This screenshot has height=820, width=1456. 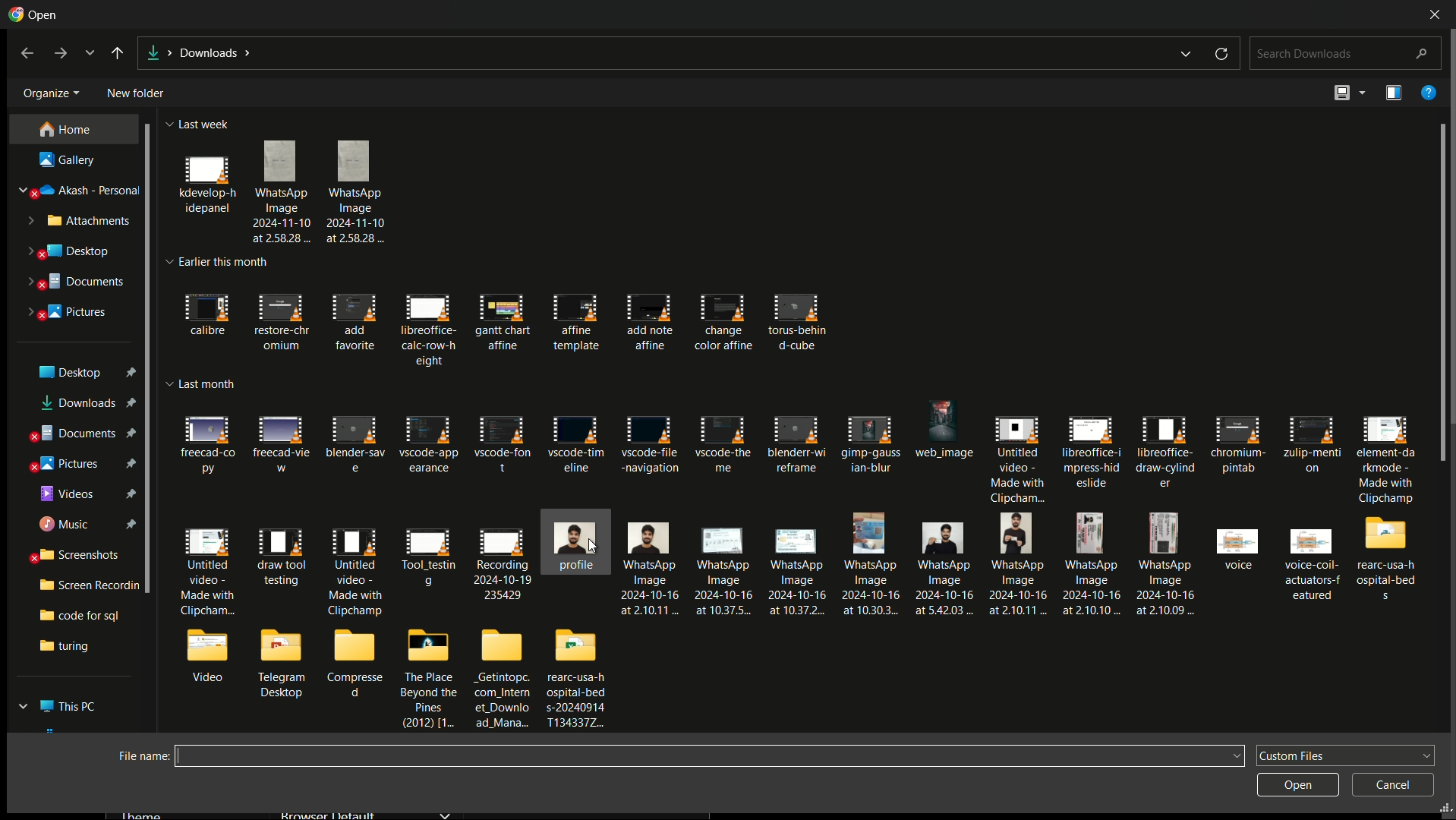 What do you see at coordinates (1345, 54) in the screenshot?
I see `search downloads` at bounding box center [1345, 54].